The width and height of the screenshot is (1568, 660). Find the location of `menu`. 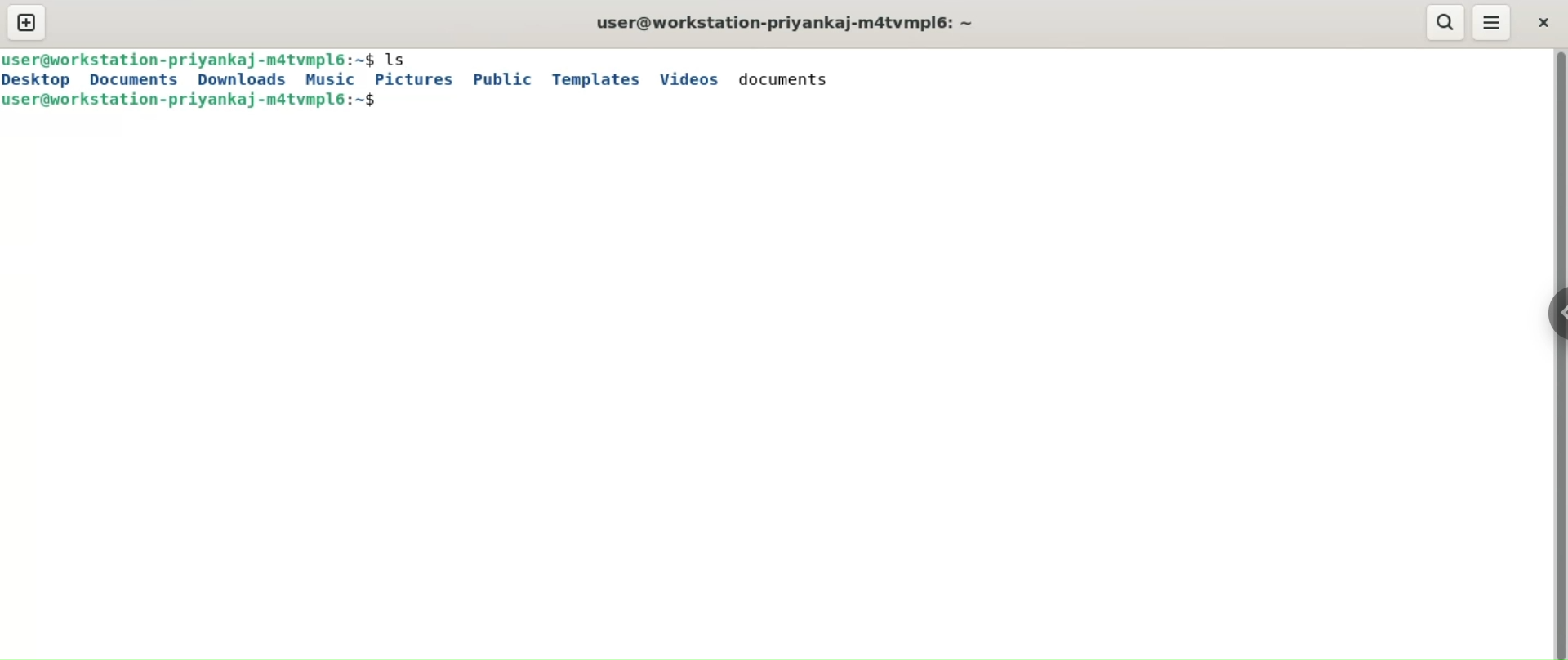

menu is located at coordinates (1493, 24).